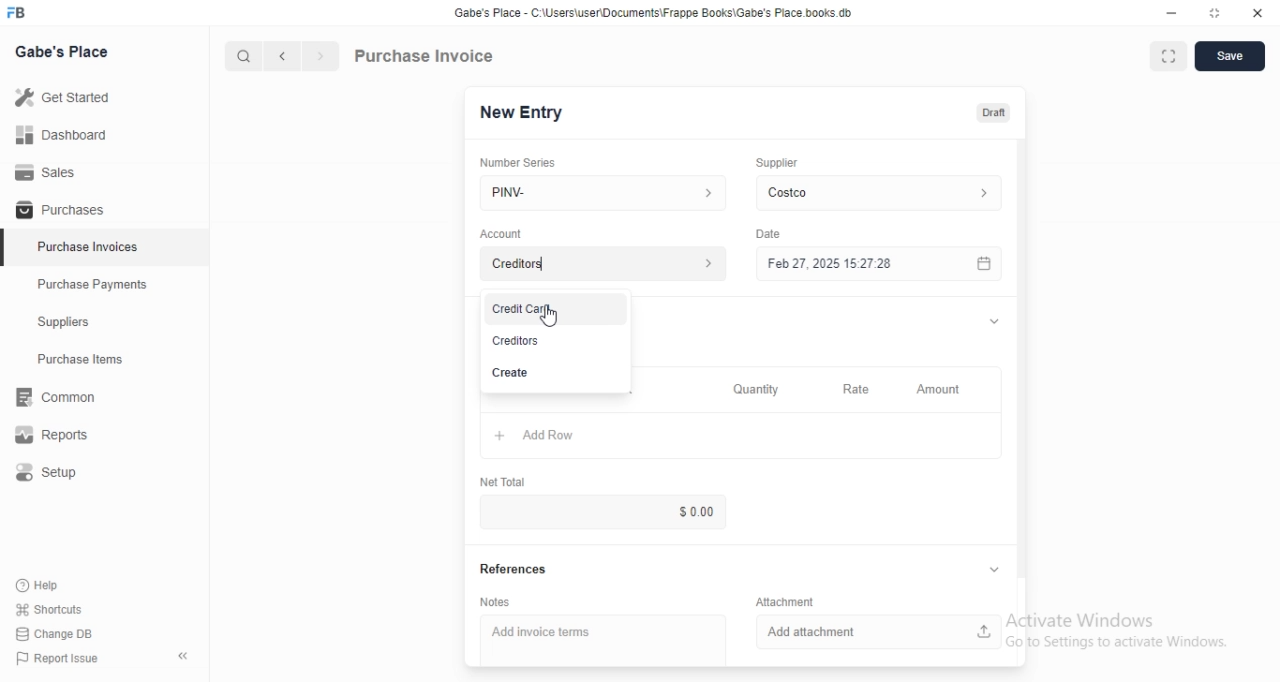 The width and height of the screenshot is (1280, 682). What do you see at coordinates (555, 373) in the screenshot?
I see `Create` at bounding box center [555, 373].